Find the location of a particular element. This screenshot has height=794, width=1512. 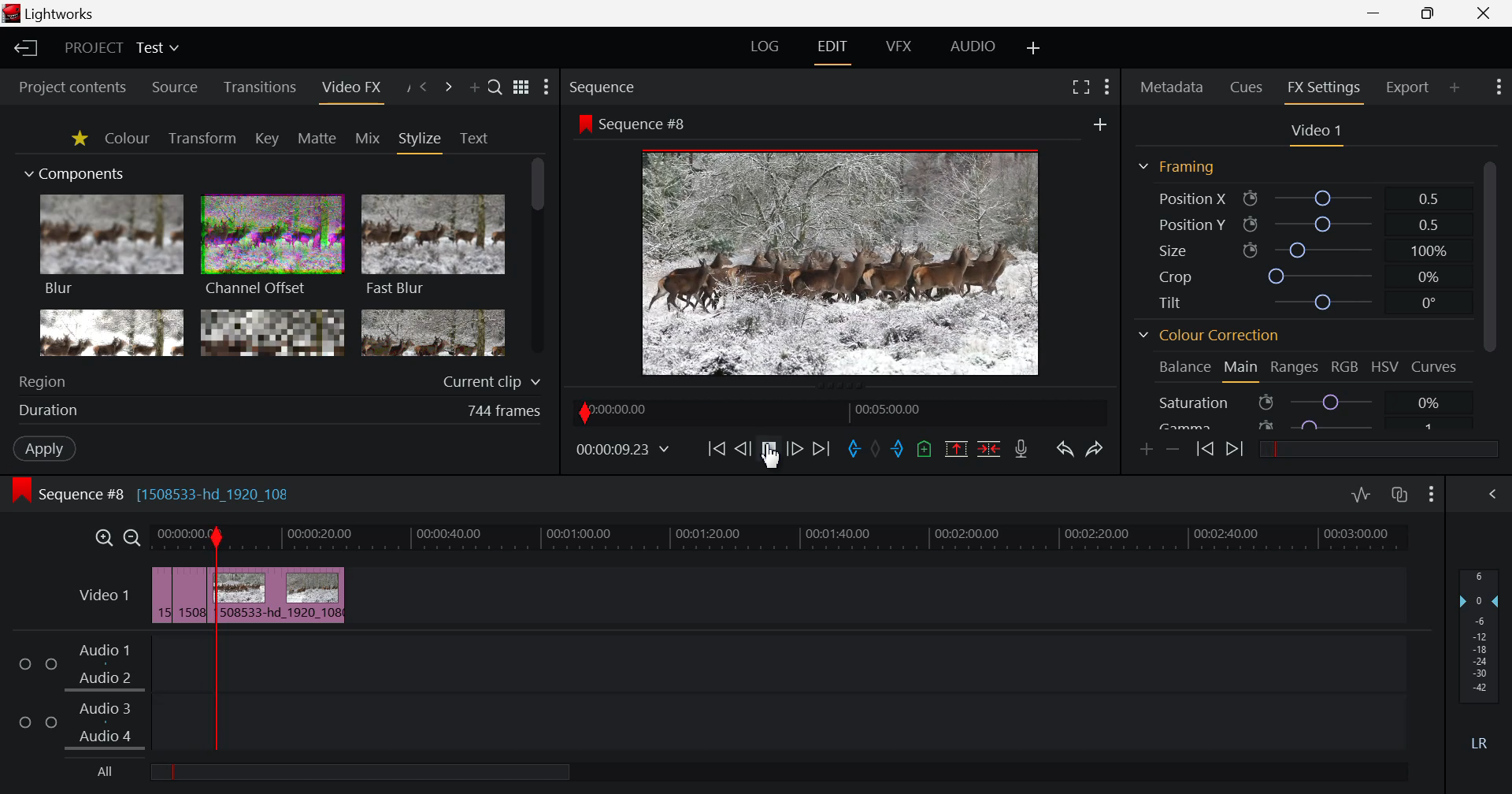

Matte is located at coordinates (317, 139).